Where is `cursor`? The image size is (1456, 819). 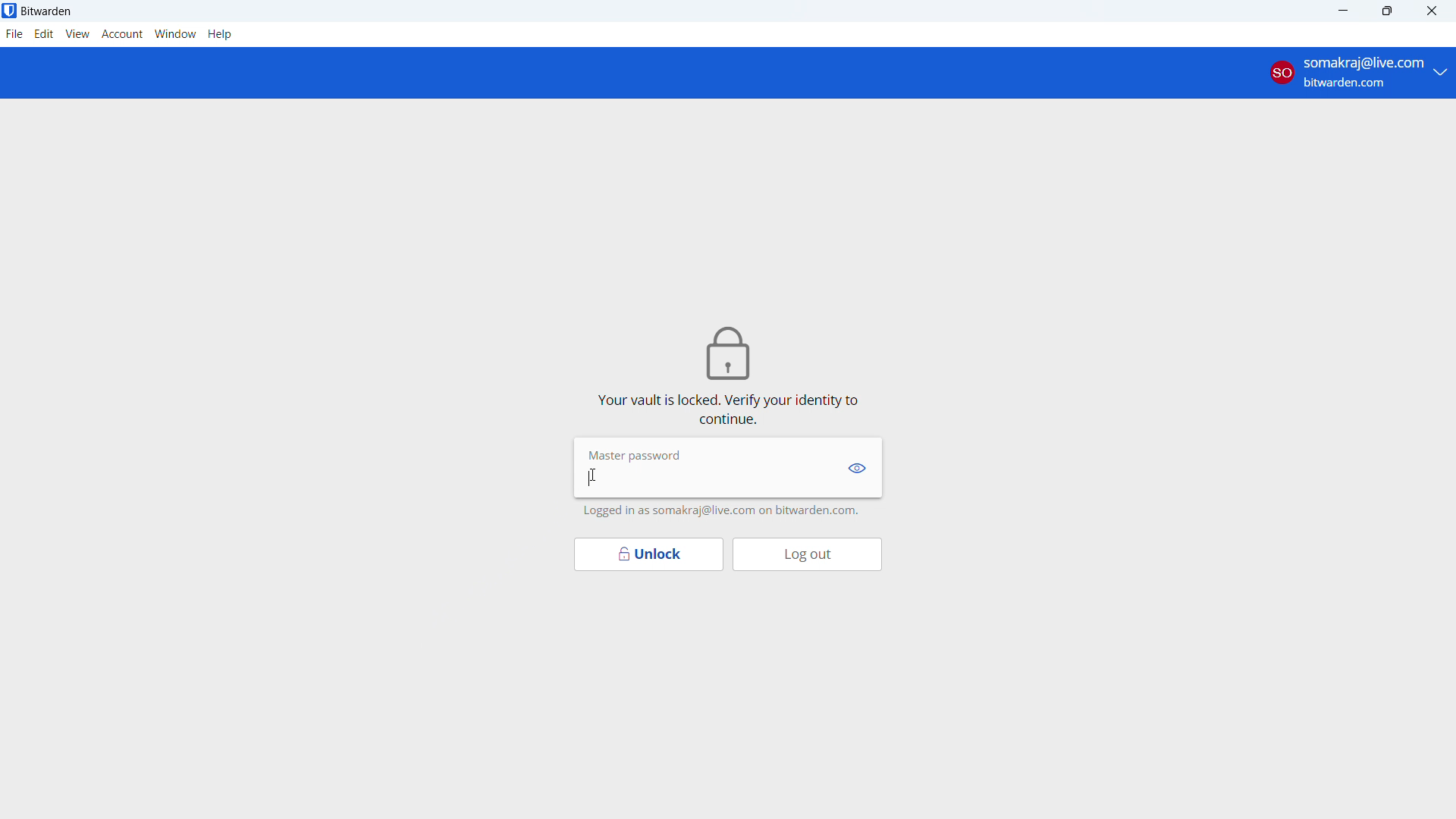 cursor is located at coordinates (595, 476).